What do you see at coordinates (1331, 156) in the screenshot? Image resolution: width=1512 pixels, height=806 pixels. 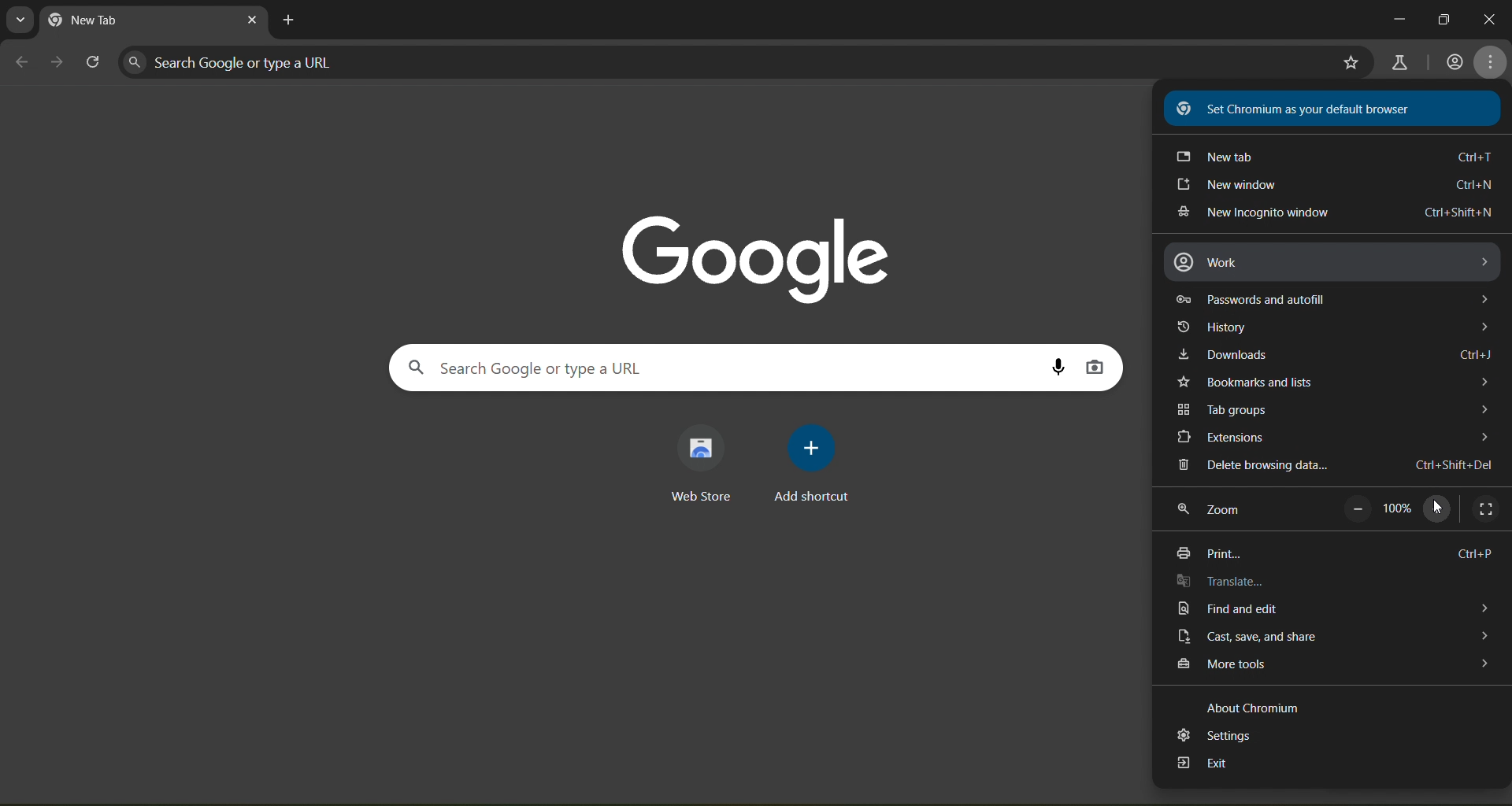 I see `new tab` at bounding box center [1331, 156].